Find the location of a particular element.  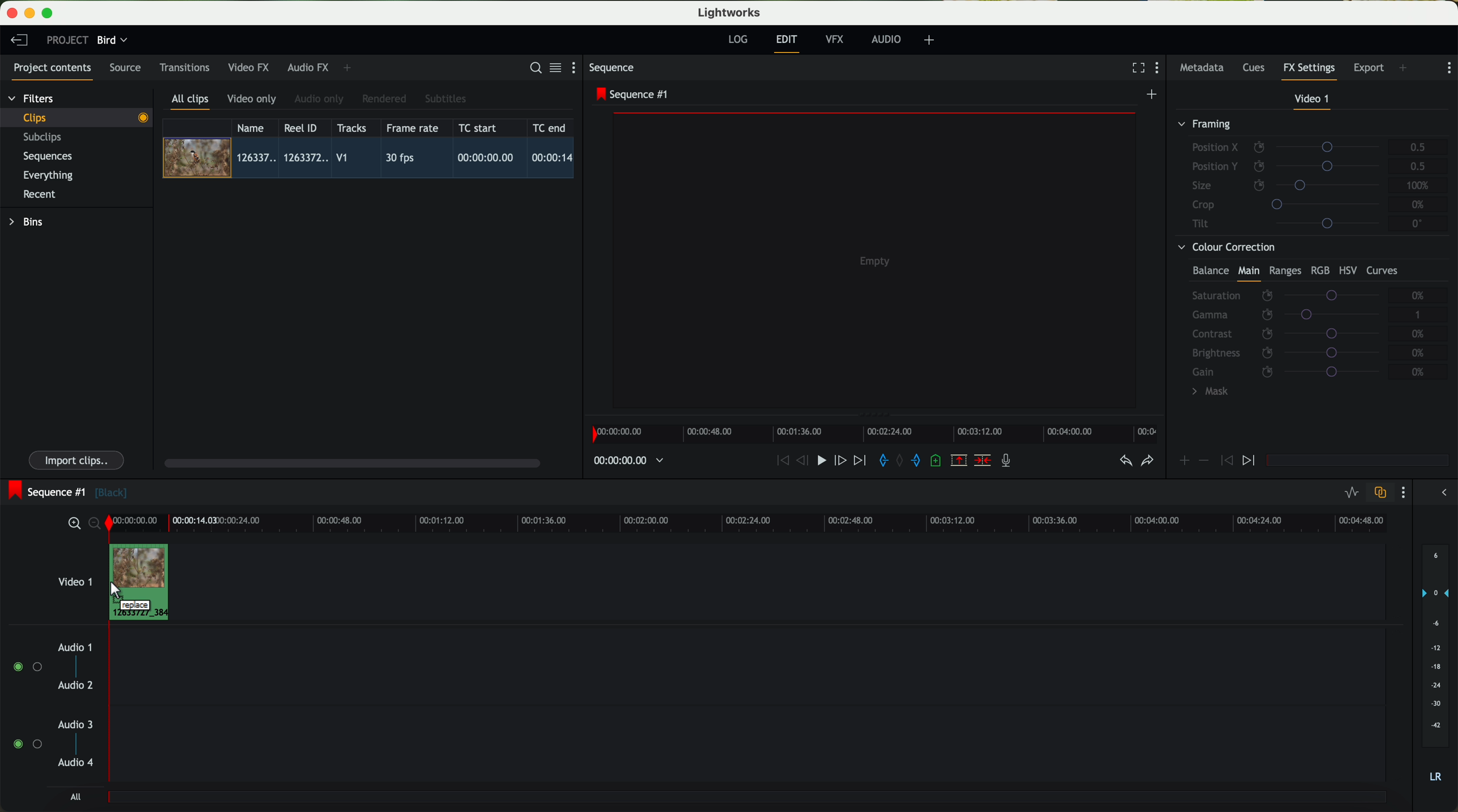

0° is located at coordinates (1418, 223).